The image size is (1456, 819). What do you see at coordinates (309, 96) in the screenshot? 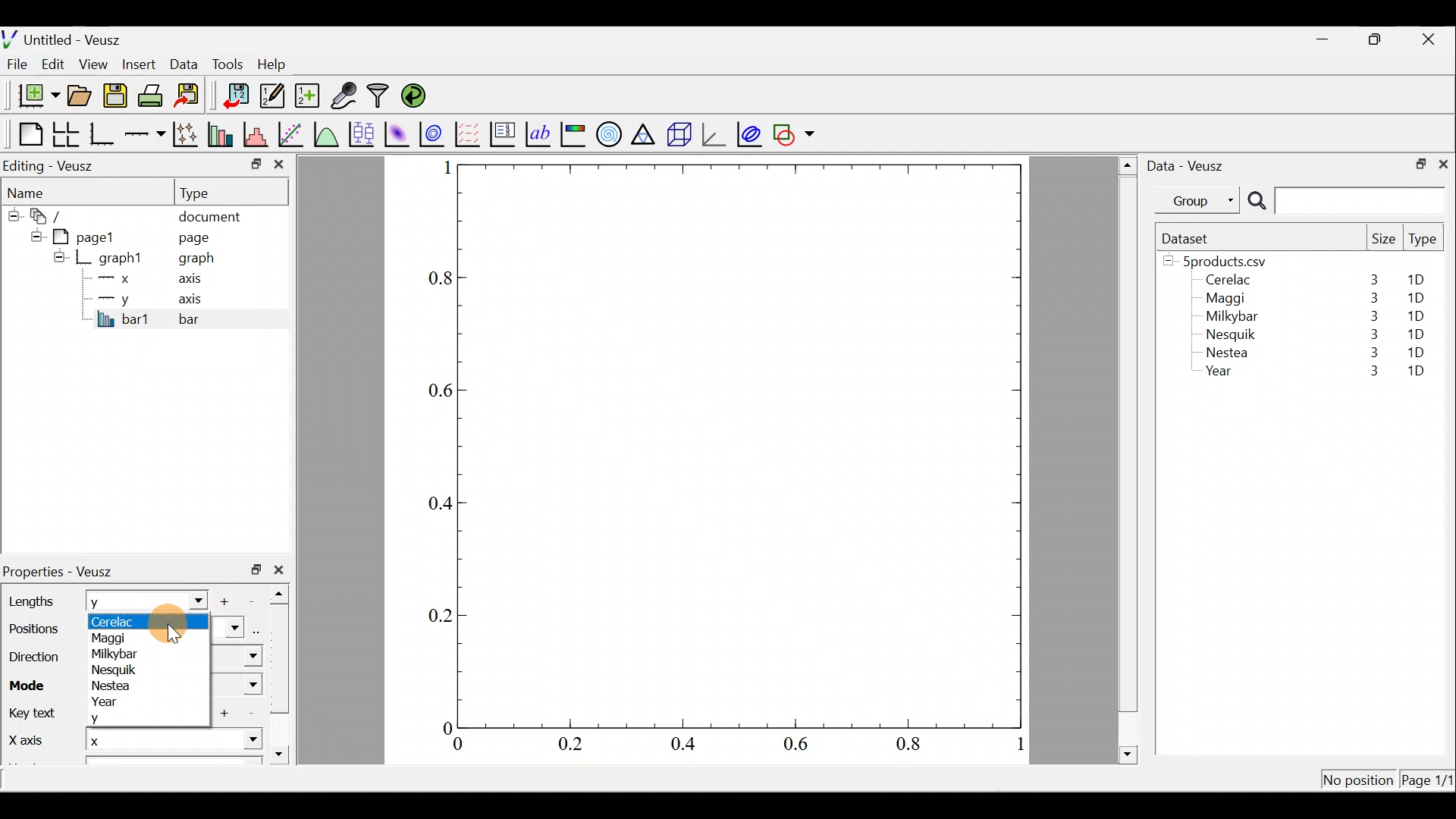
I see `Create new dataset using ranges, parametrically, or as functions of existing datasets.` at bounding box center [309, 96].